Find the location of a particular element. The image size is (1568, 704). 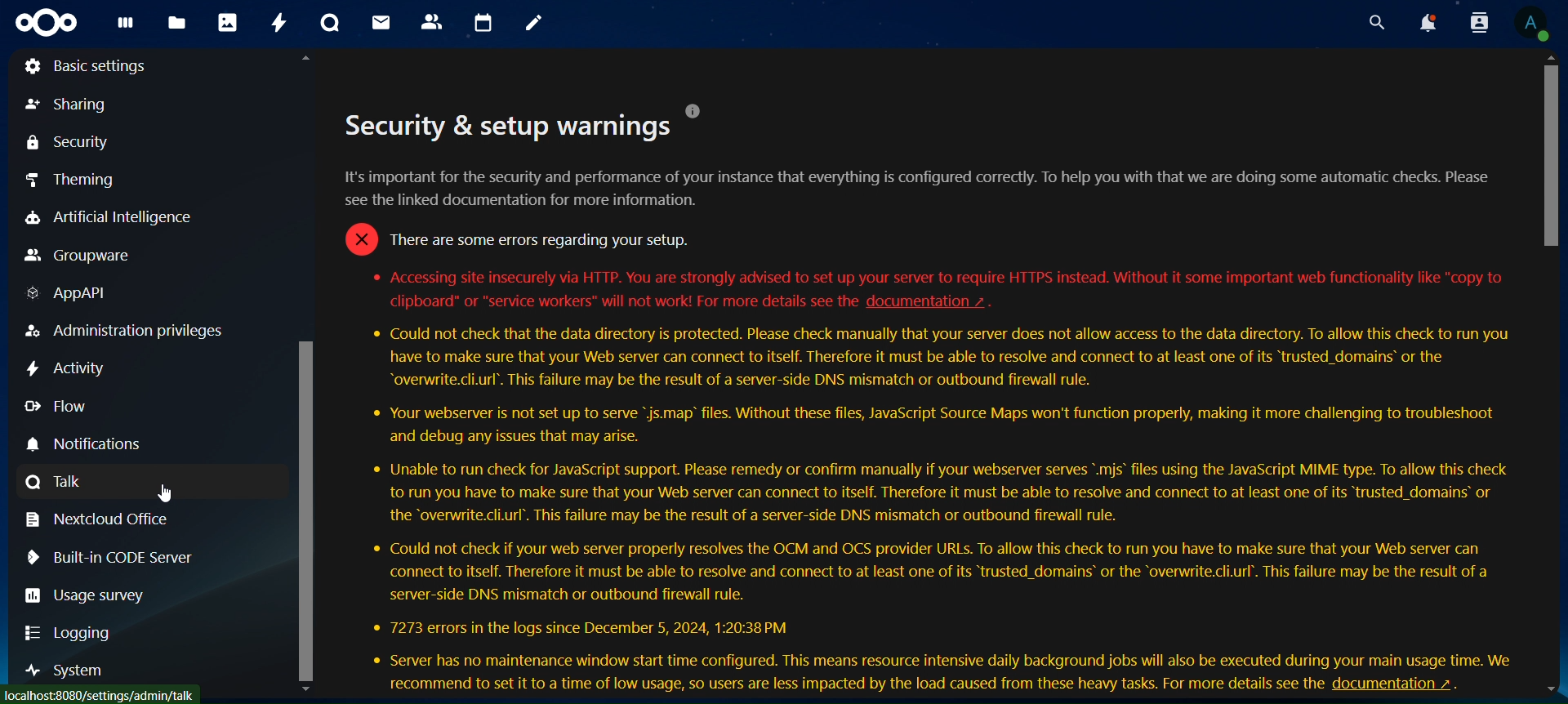

sharing is located at coordinates (63, 104).